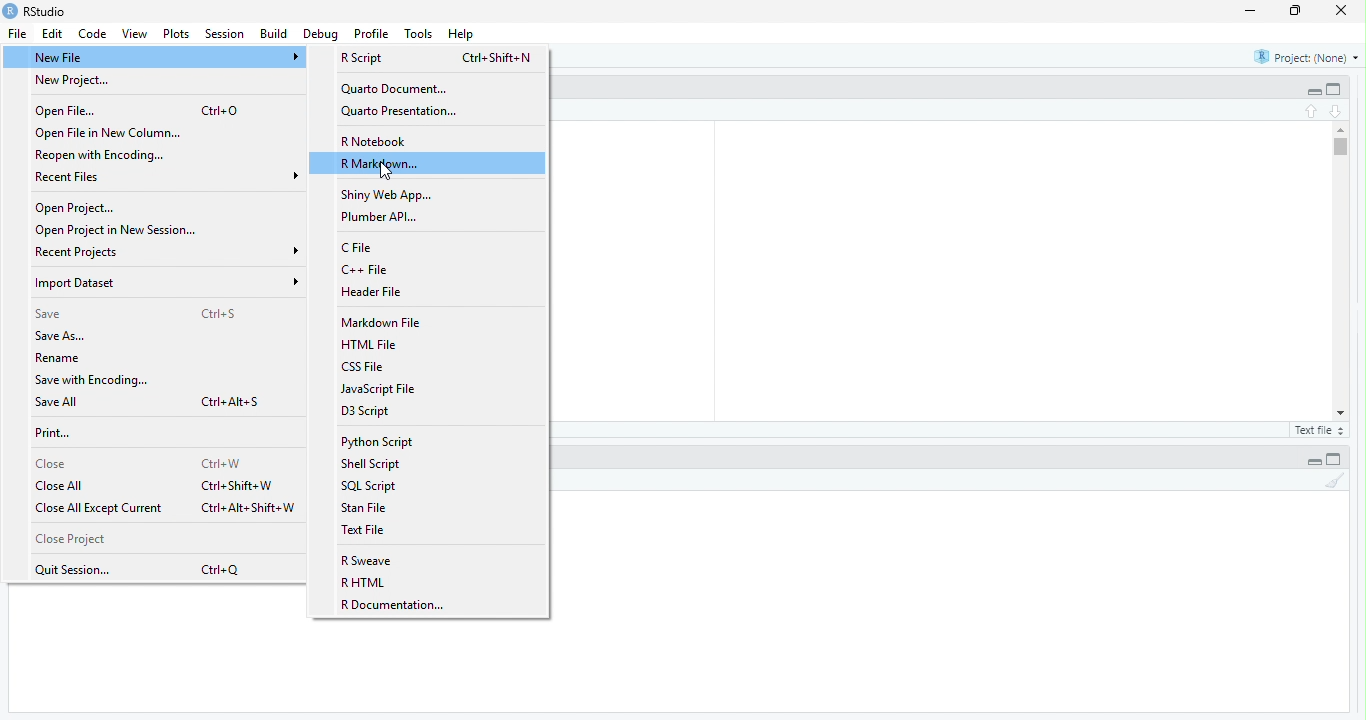 The image size is (1366, 720). I want to click on Collapse, so click(1314, 462).